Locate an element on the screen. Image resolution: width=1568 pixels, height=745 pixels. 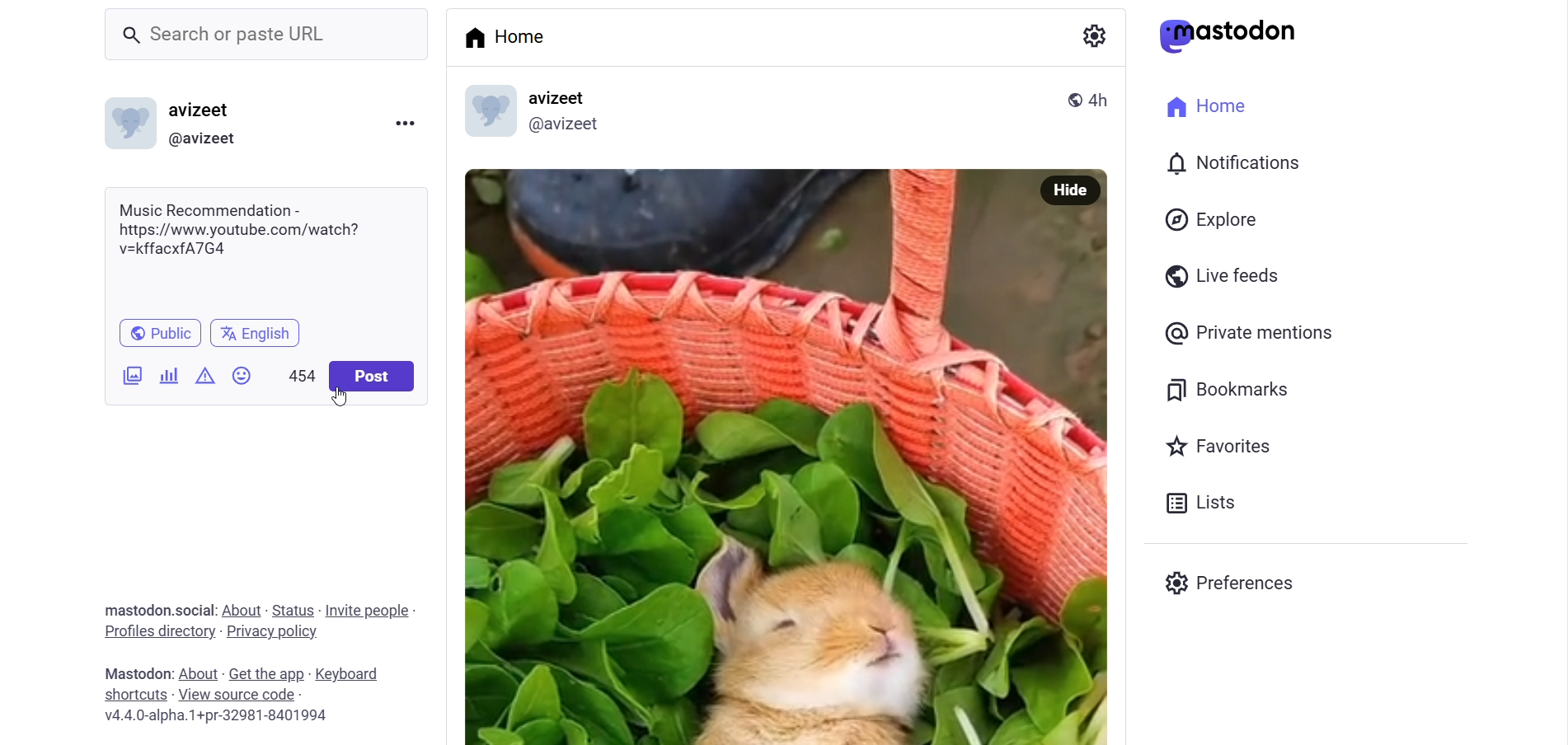
avizeet is located at coordinates (214, 112).